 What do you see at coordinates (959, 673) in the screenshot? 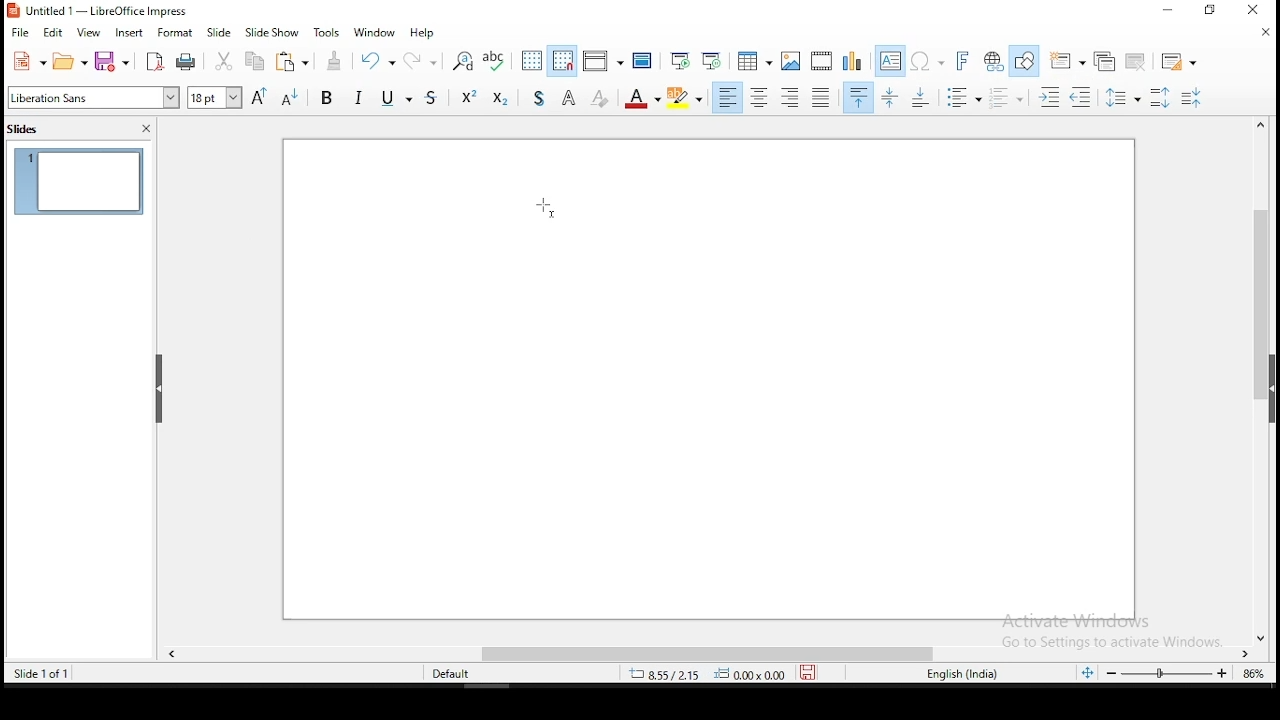
I see `english (india)` at bounding box center [959, 673].